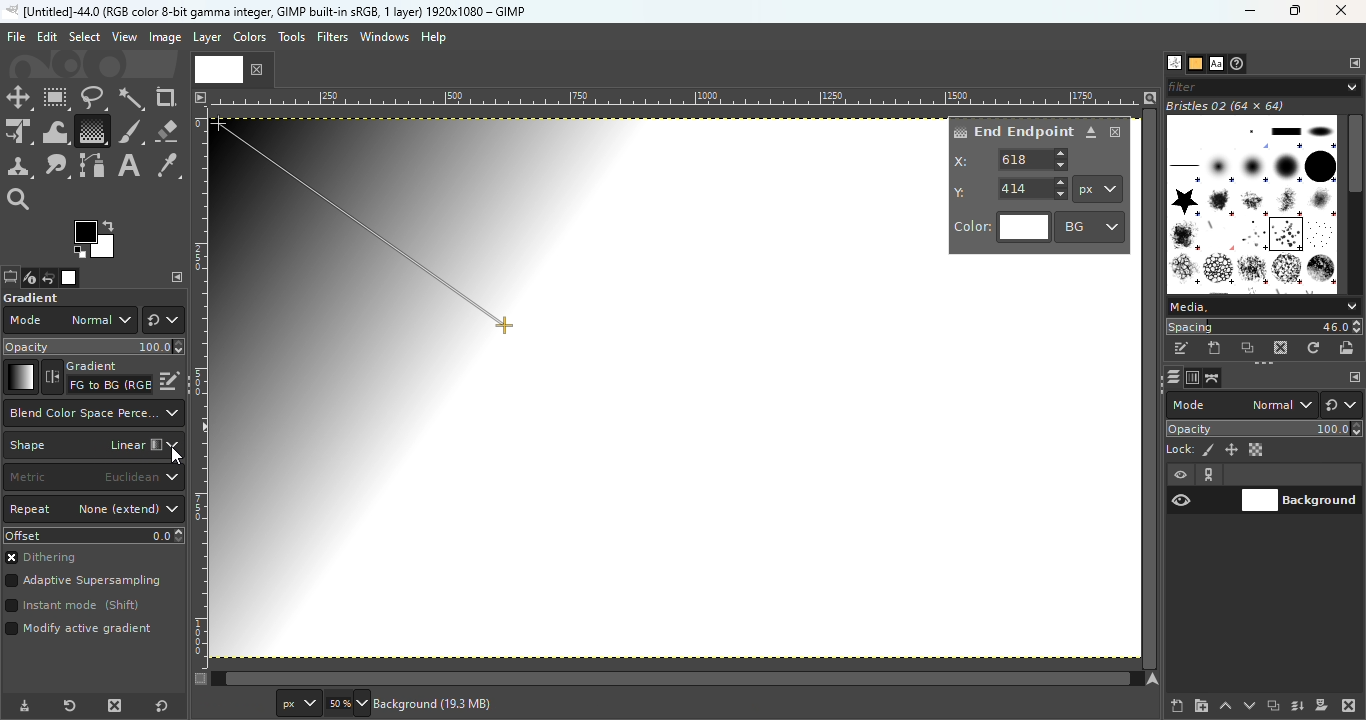 The image size is (1366, 720). I want to click on Clone tool, so click(19, 167).